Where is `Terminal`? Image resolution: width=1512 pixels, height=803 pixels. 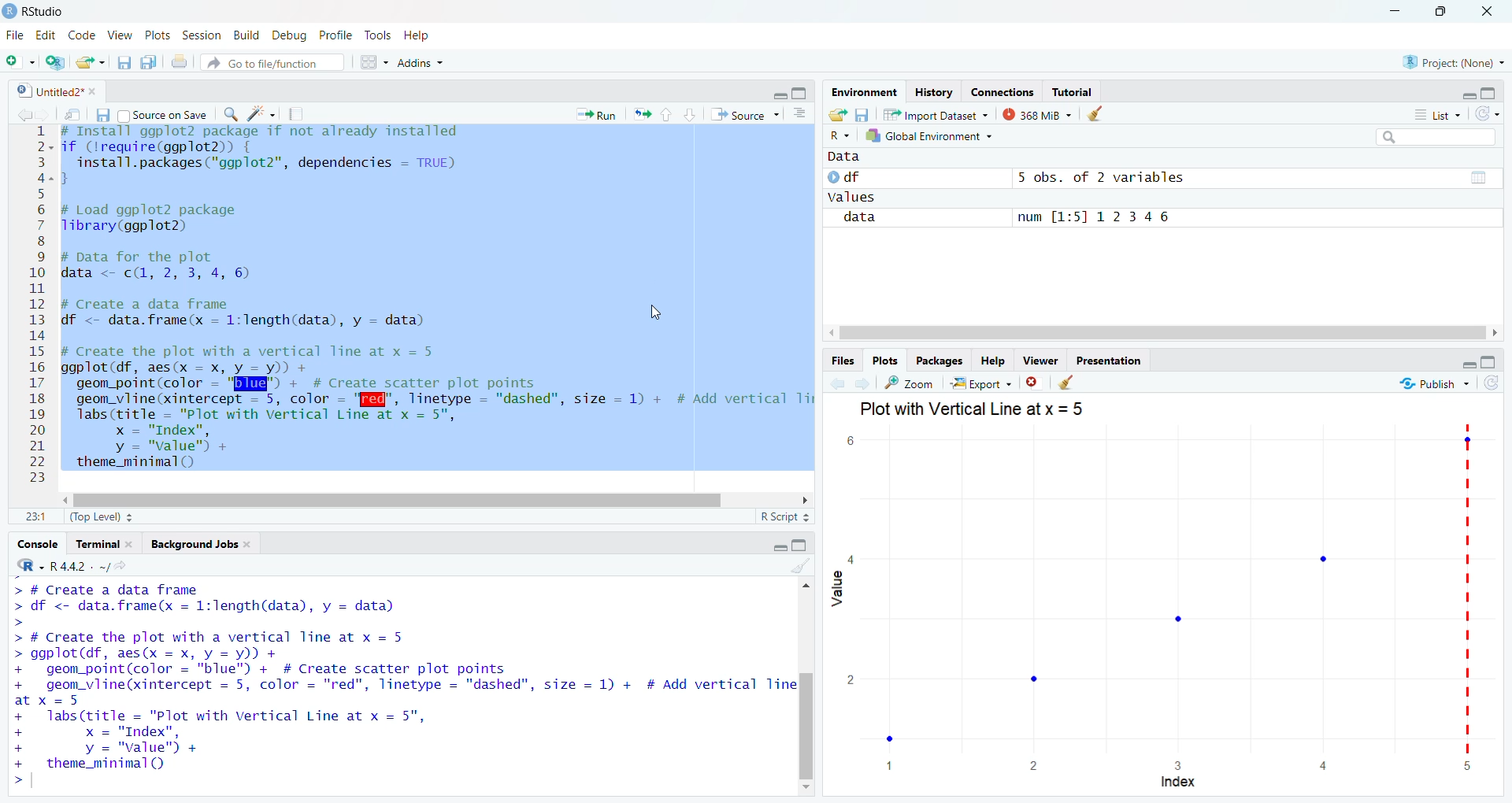
Terminal is located at coordinates (103, 543).